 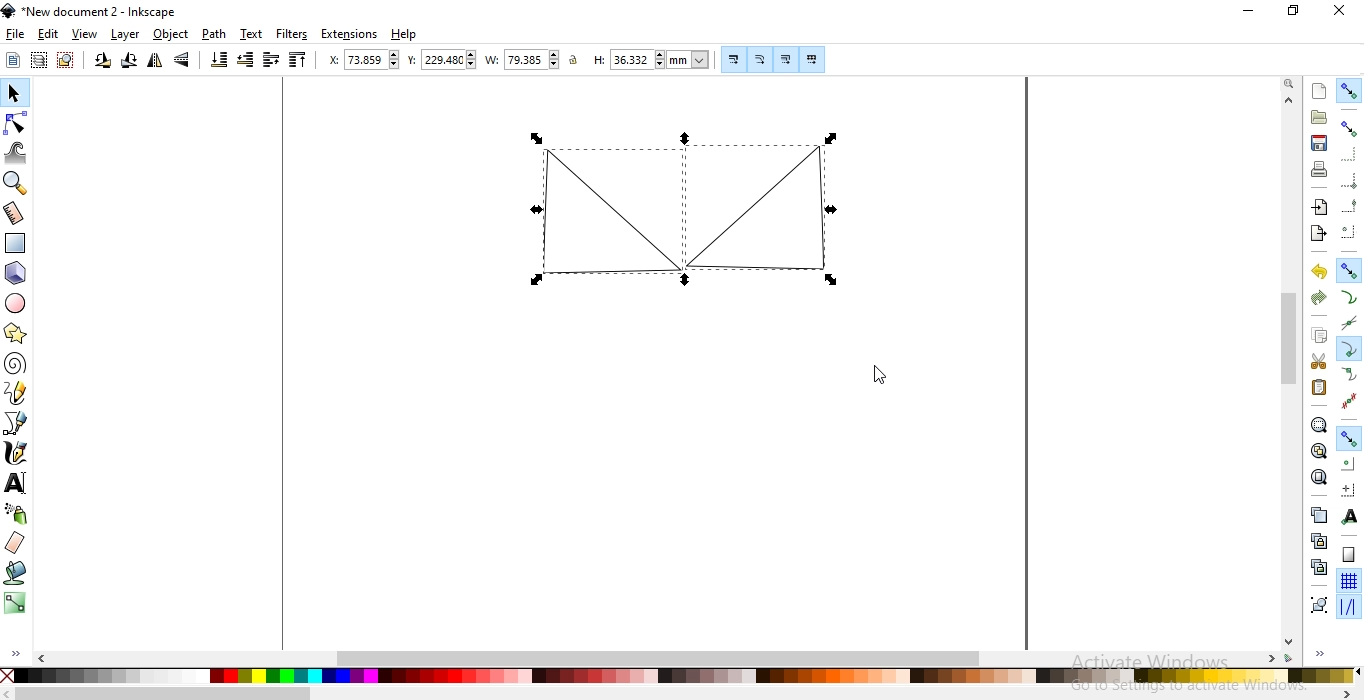 I want to click on snap smooth nodes, so click(x=1351, y=373).